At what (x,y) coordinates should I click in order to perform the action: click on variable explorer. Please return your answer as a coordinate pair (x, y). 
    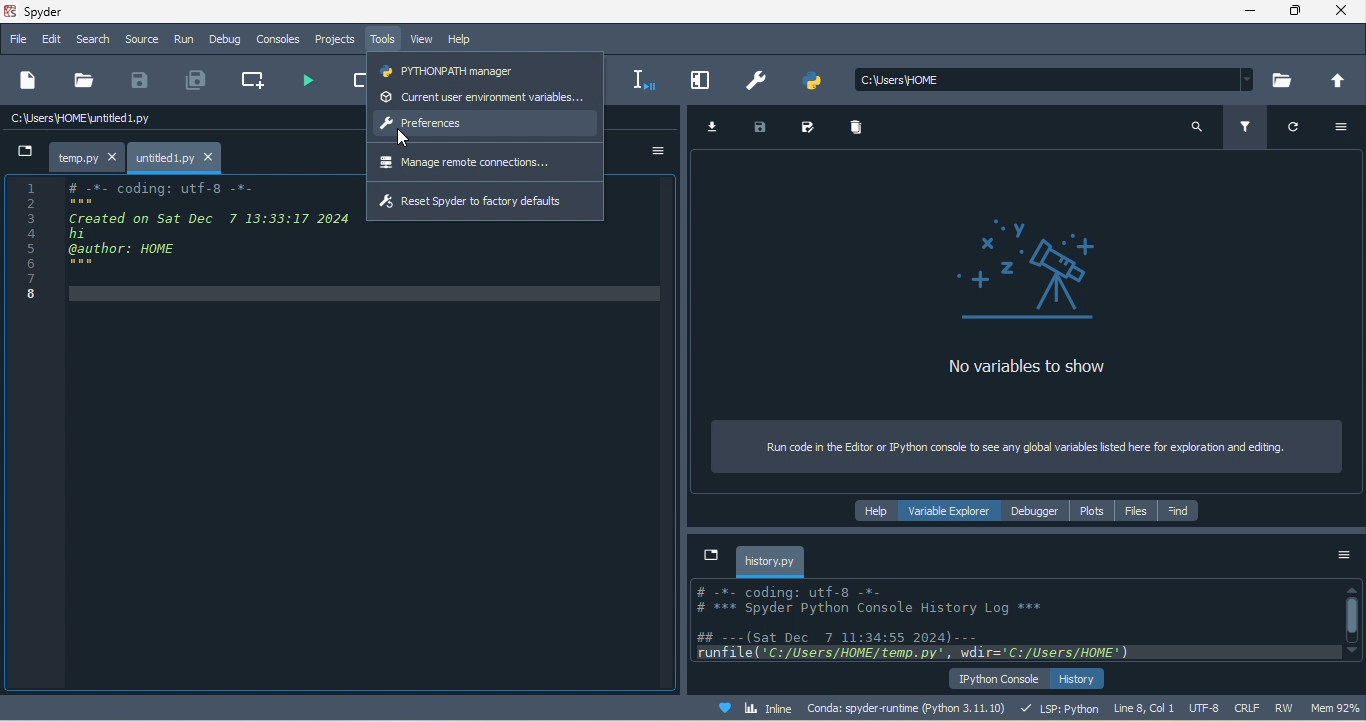
    Looking at the image, I should click on (953, 509).